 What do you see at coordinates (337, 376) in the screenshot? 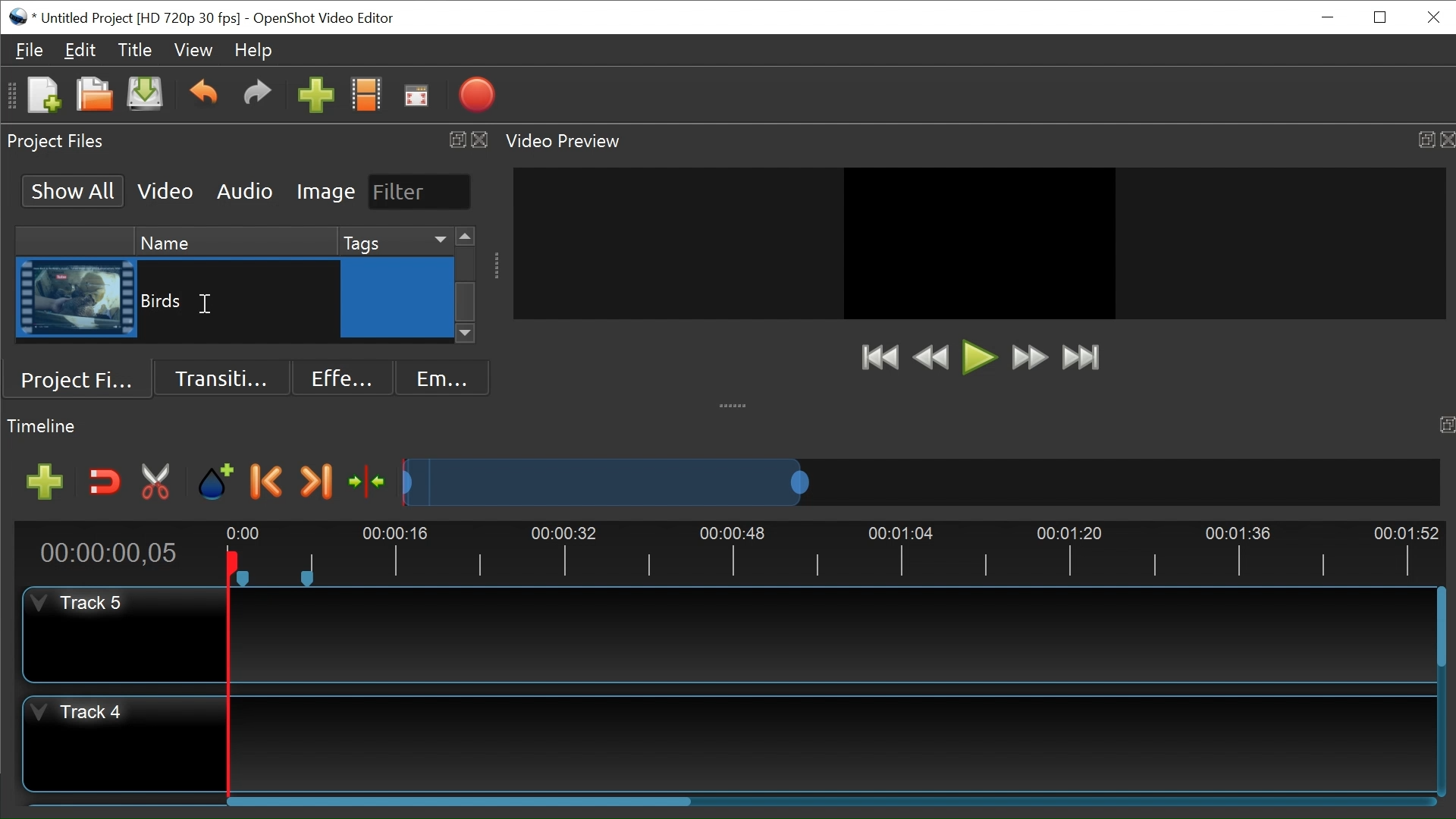
I see `Effects` at bounding box center [337, 376].